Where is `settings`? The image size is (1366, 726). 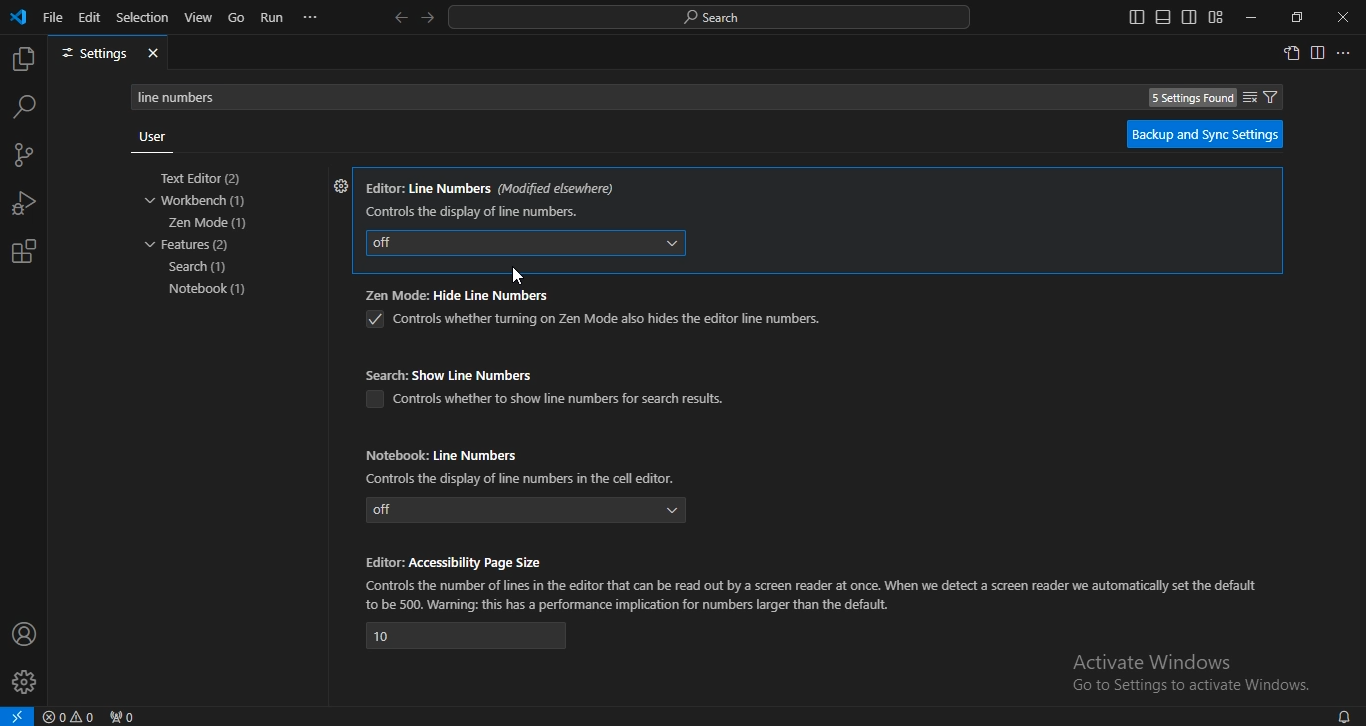 settings is located at coordinates (108, 54).